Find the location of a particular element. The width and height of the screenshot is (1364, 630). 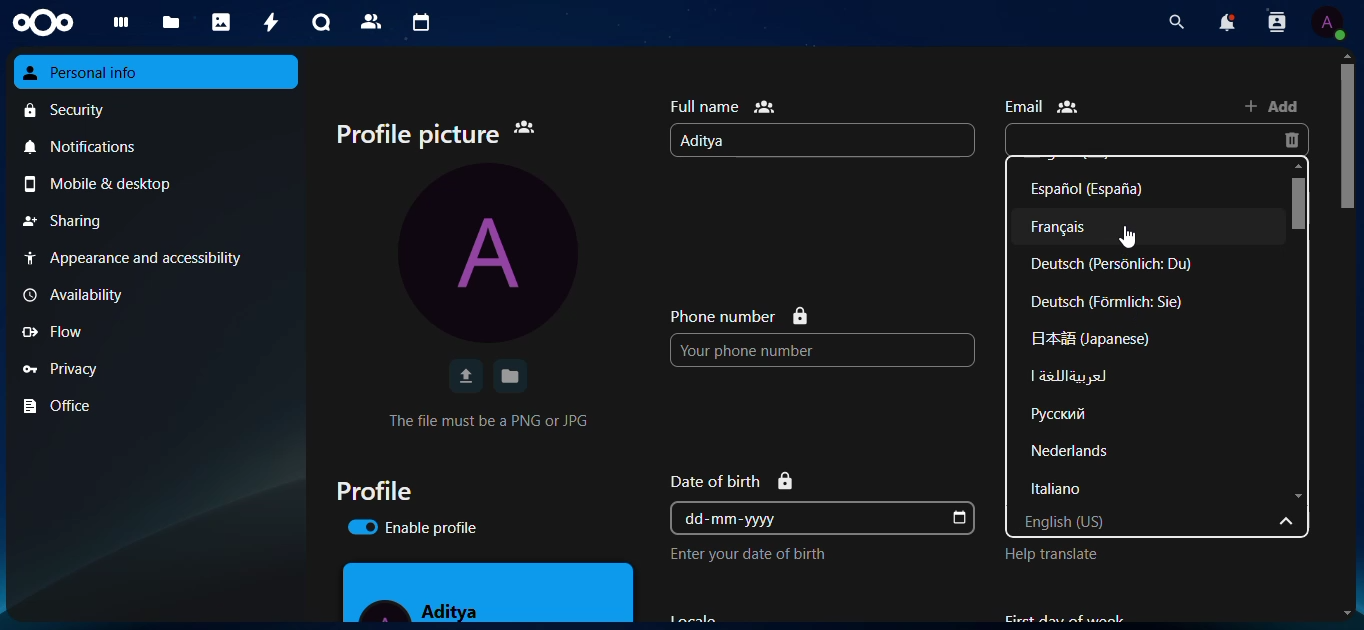

deutsch is located at coordinates (1110, 302).